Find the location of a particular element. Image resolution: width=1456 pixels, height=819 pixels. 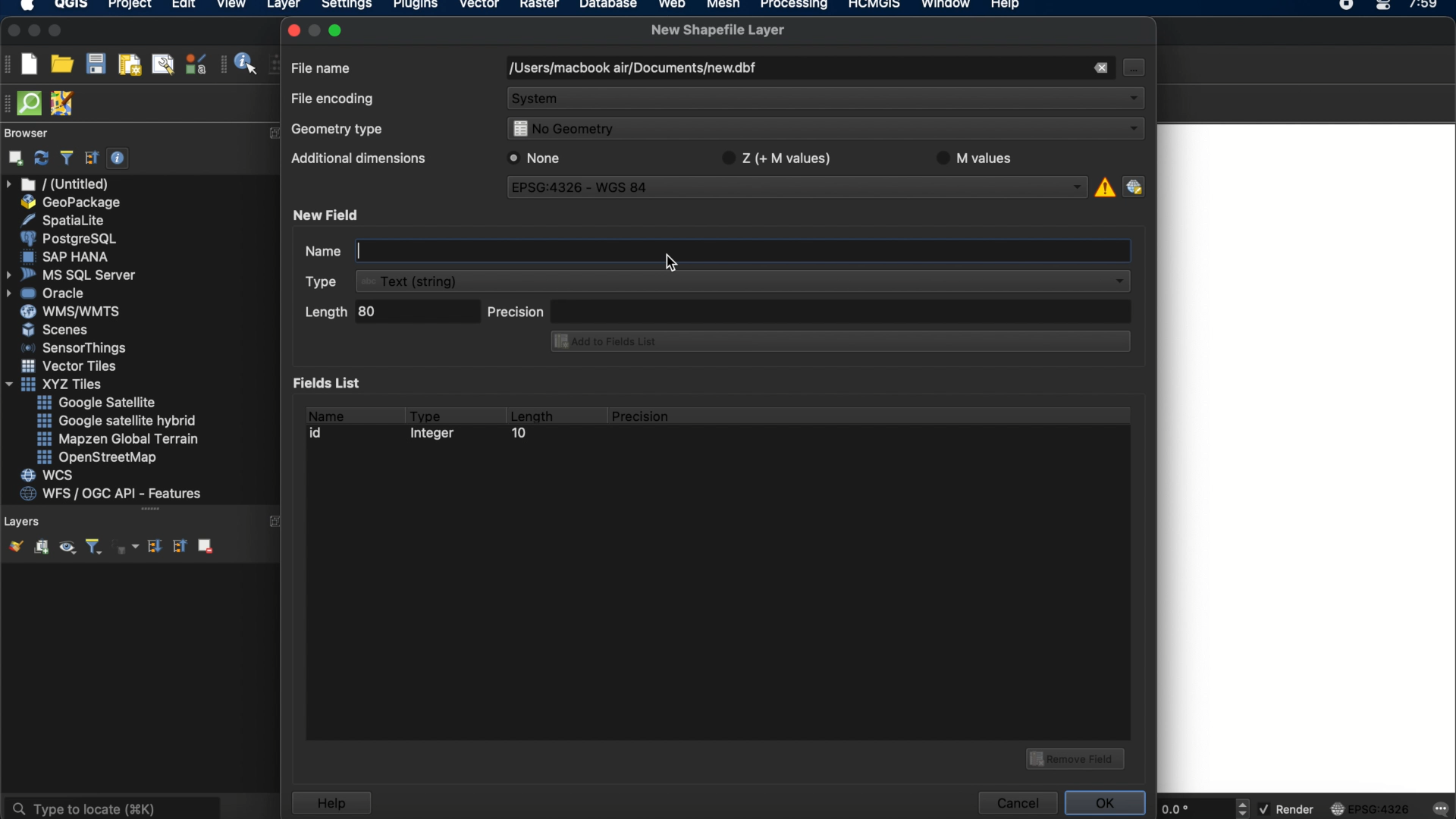

system dropdown menu is located at coordinates (827, 100).